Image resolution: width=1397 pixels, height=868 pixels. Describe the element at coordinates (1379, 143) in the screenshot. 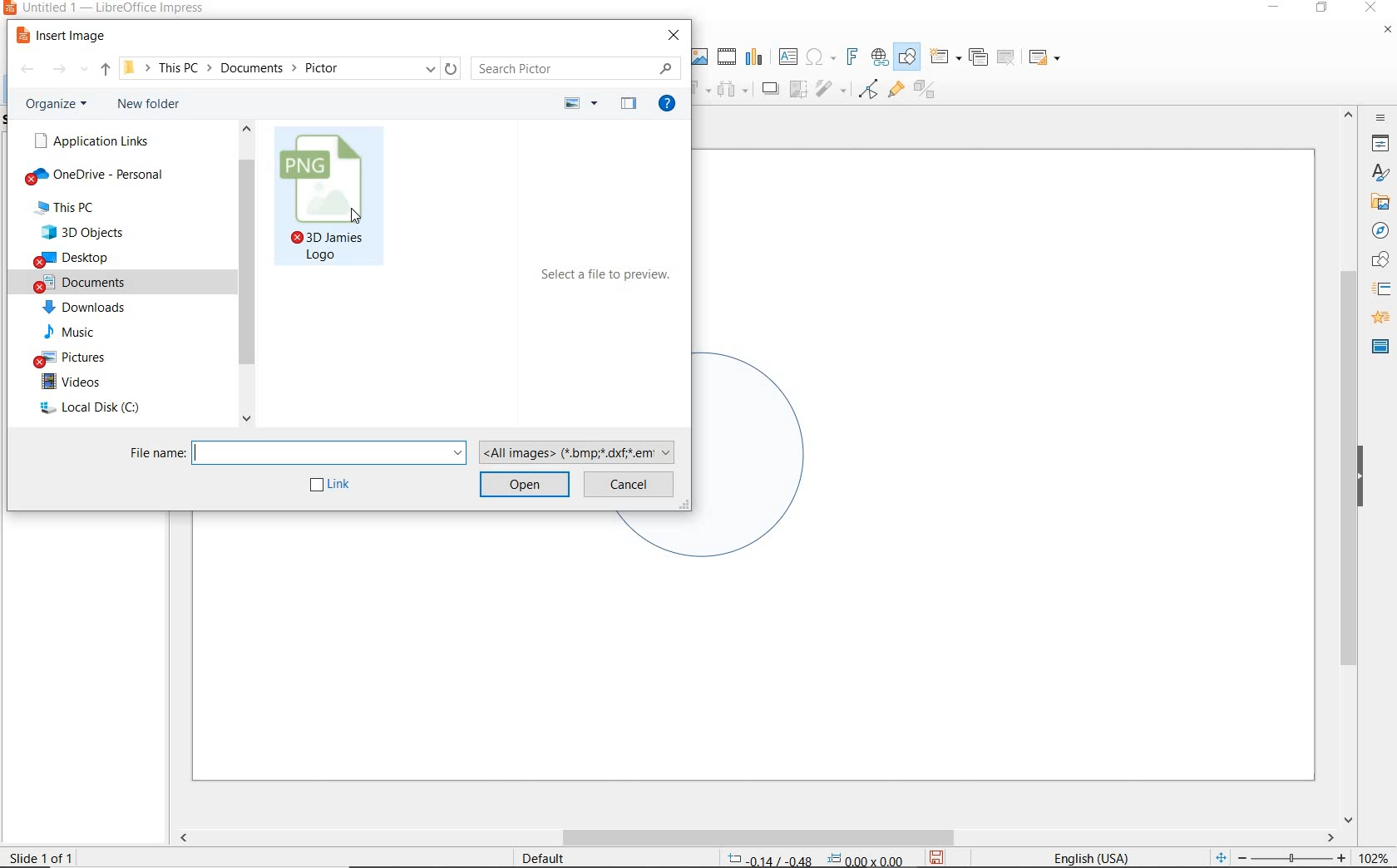

I see `properties` at that location.